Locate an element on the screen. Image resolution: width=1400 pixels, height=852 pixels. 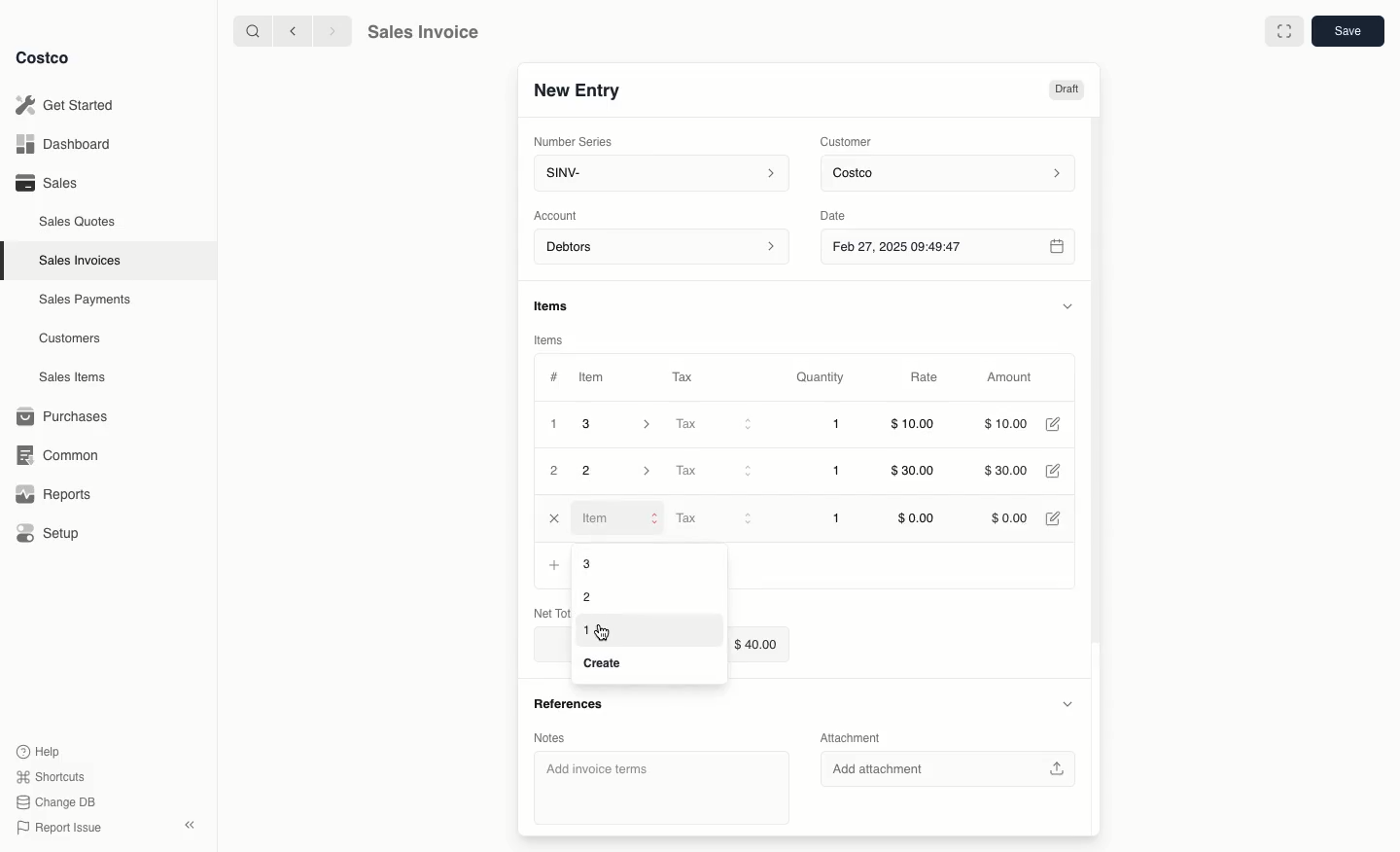
Shortcuts is located at coordinates (50, 775).